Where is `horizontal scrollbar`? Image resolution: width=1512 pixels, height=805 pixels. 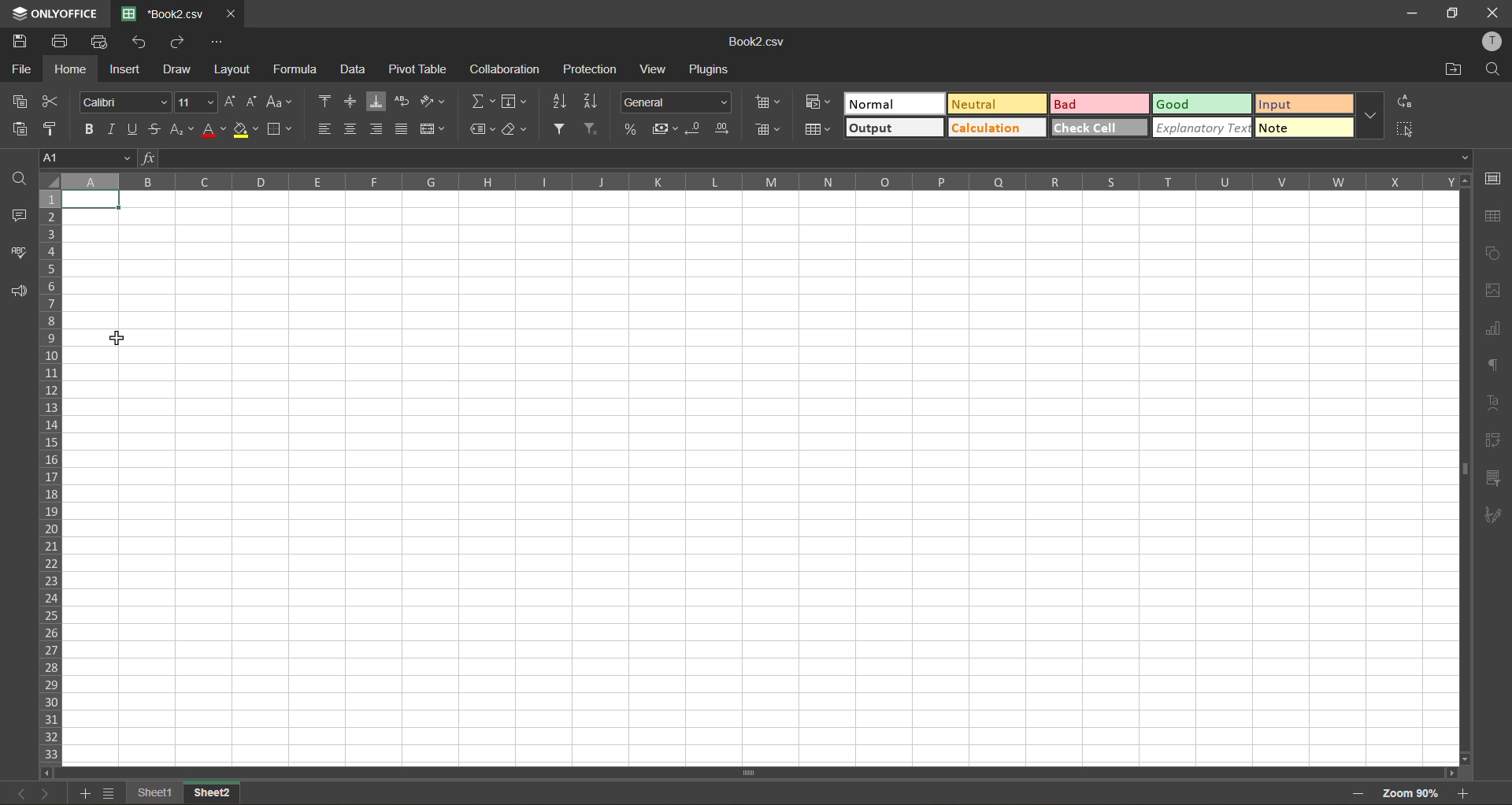
horizontal scrollbar is located at coordinates (754, 772).